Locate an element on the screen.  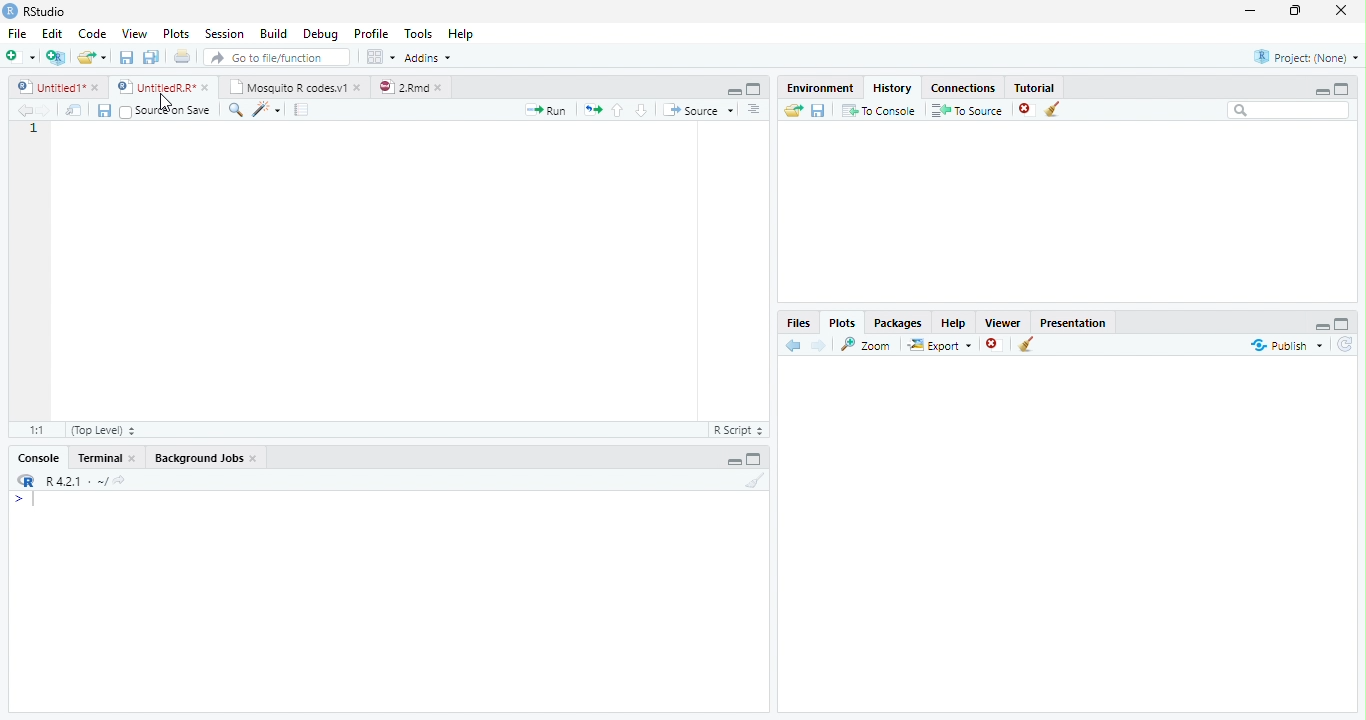
Full Screen is located at coordinates (755, 88).